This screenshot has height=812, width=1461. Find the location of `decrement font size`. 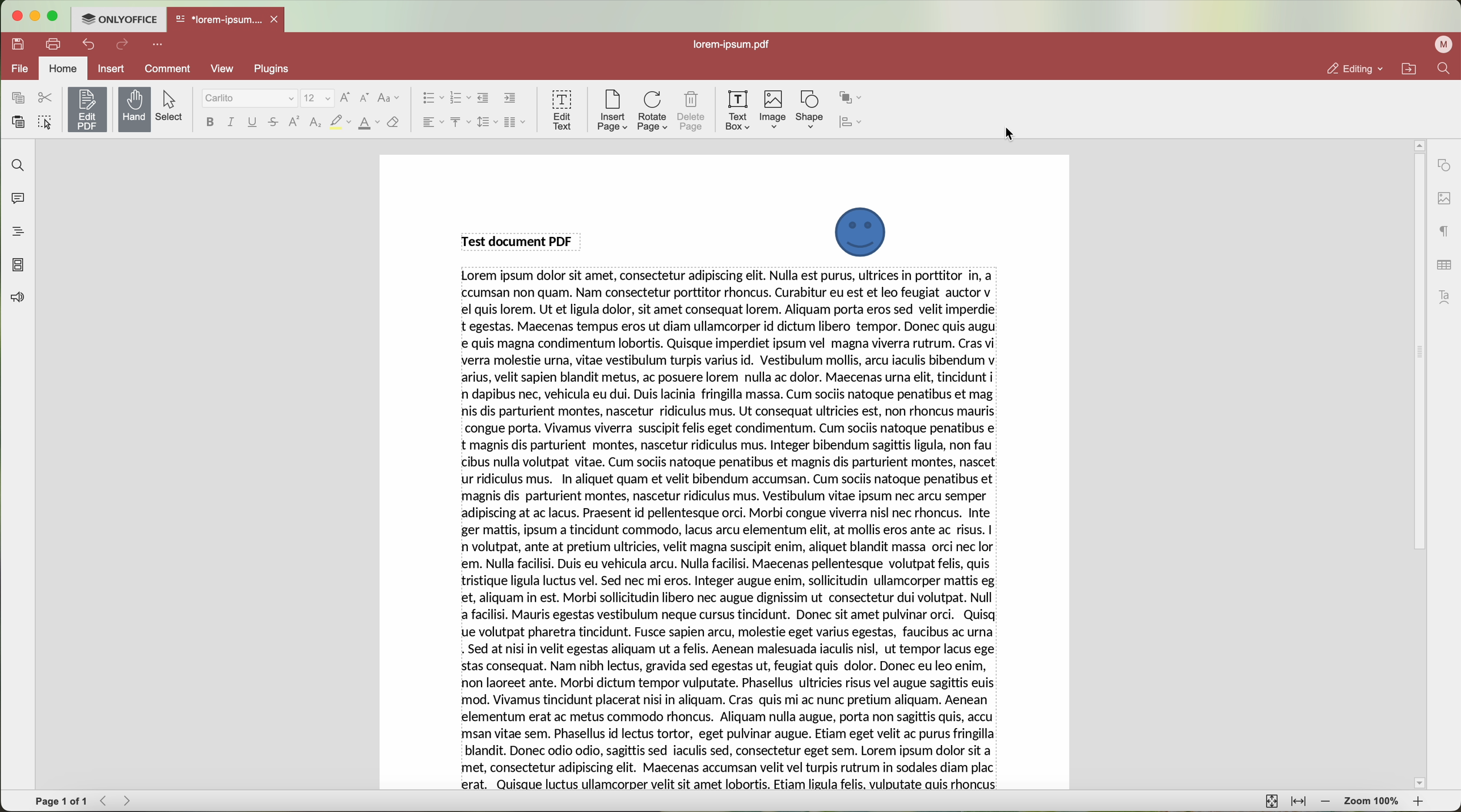

decrement font size is located at coordinates (364, 98).